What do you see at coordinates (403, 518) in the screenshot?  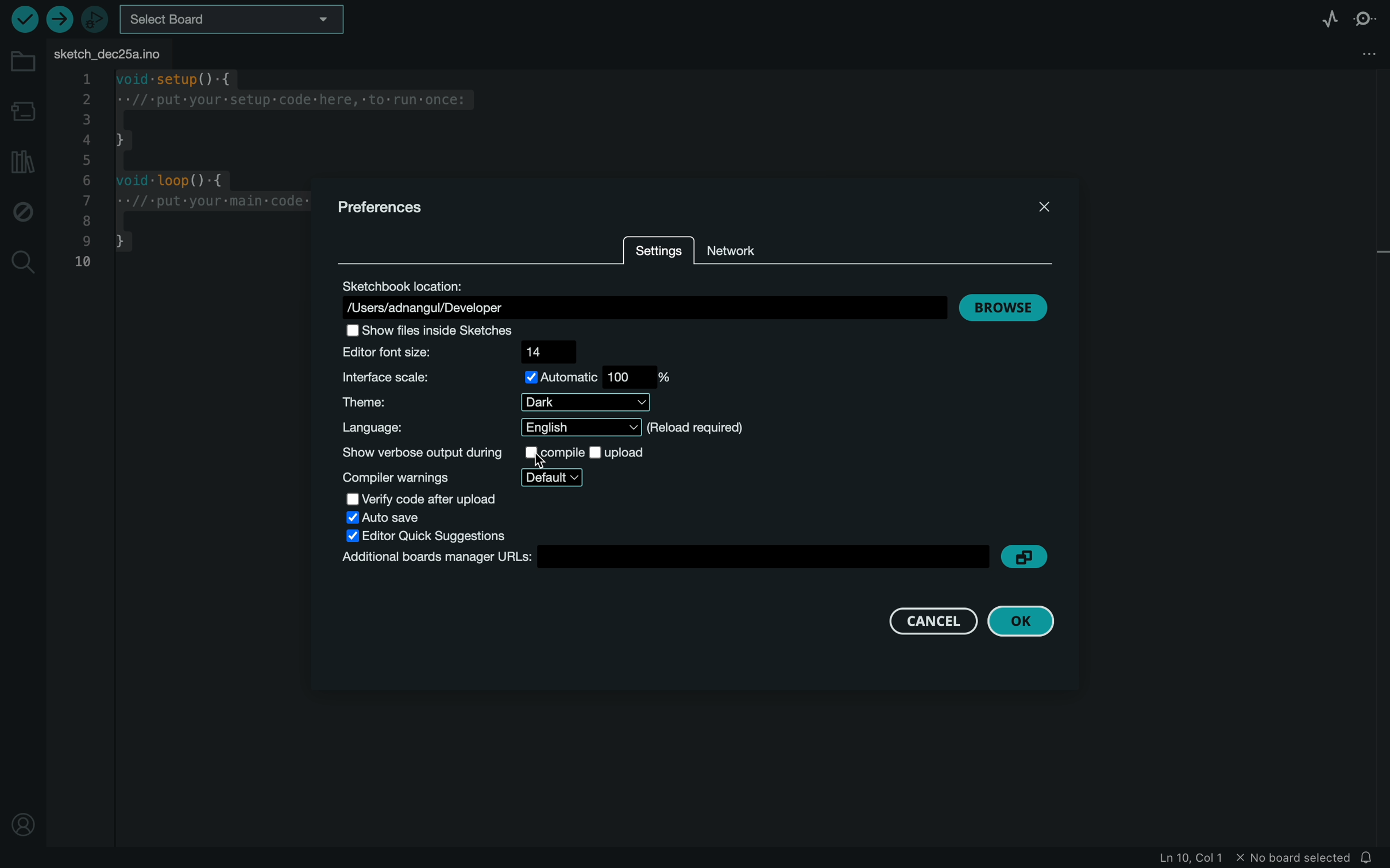 I see `auto  save` at bounding box center [403, 518].